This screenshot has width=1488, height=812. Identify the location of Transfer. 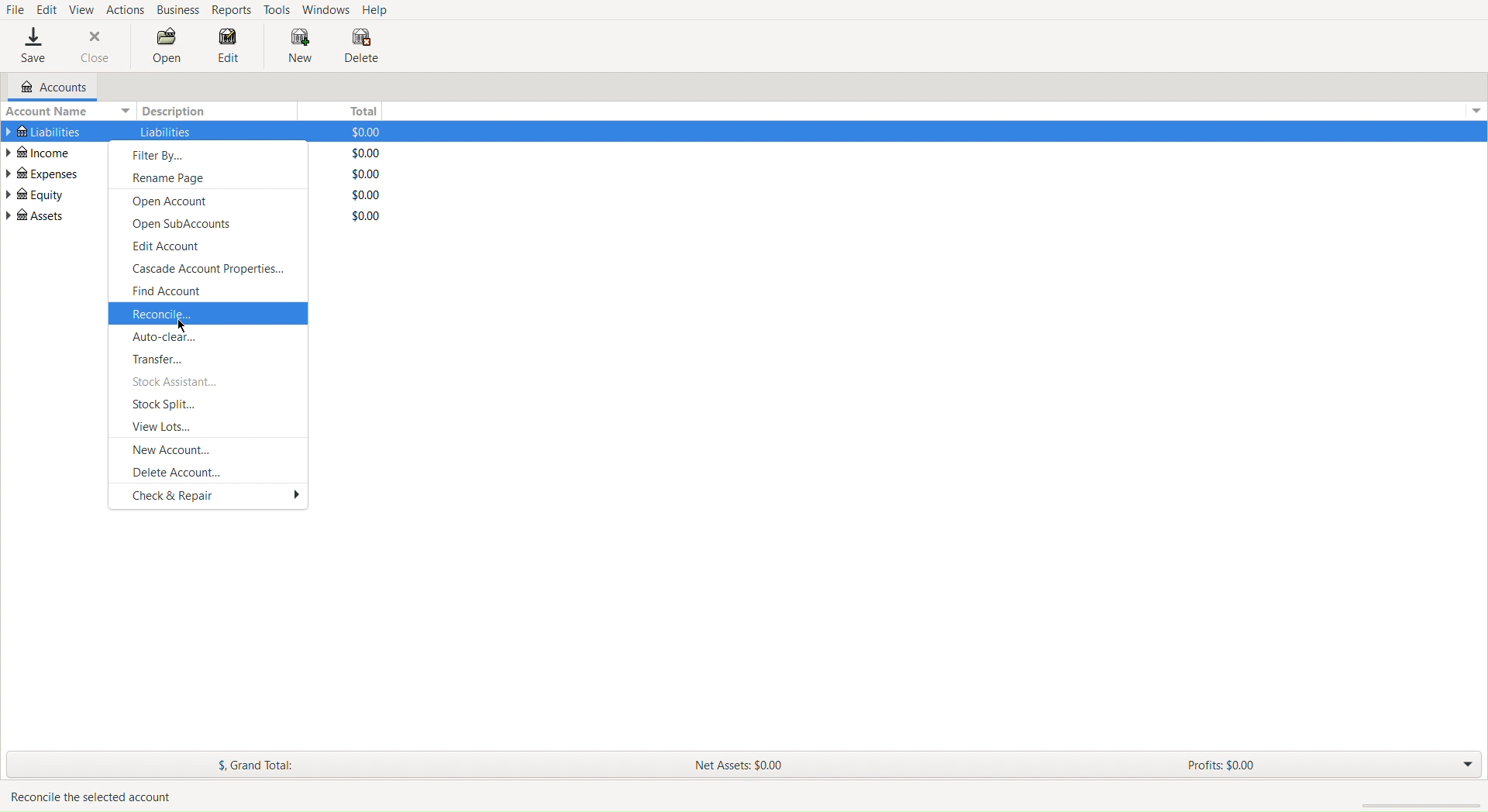
(211, 361).